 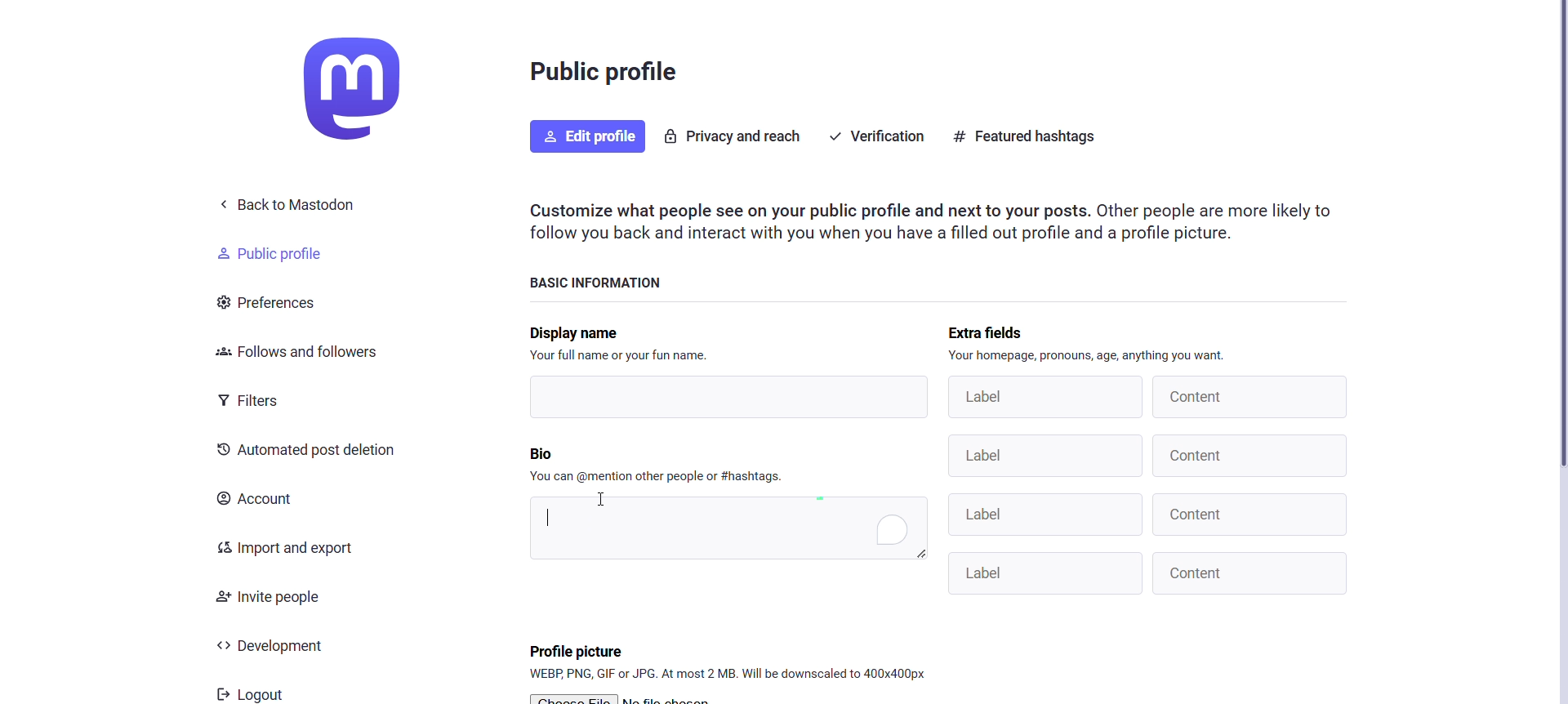 I want to click on scroll bar, so click(x=1564, y=239).